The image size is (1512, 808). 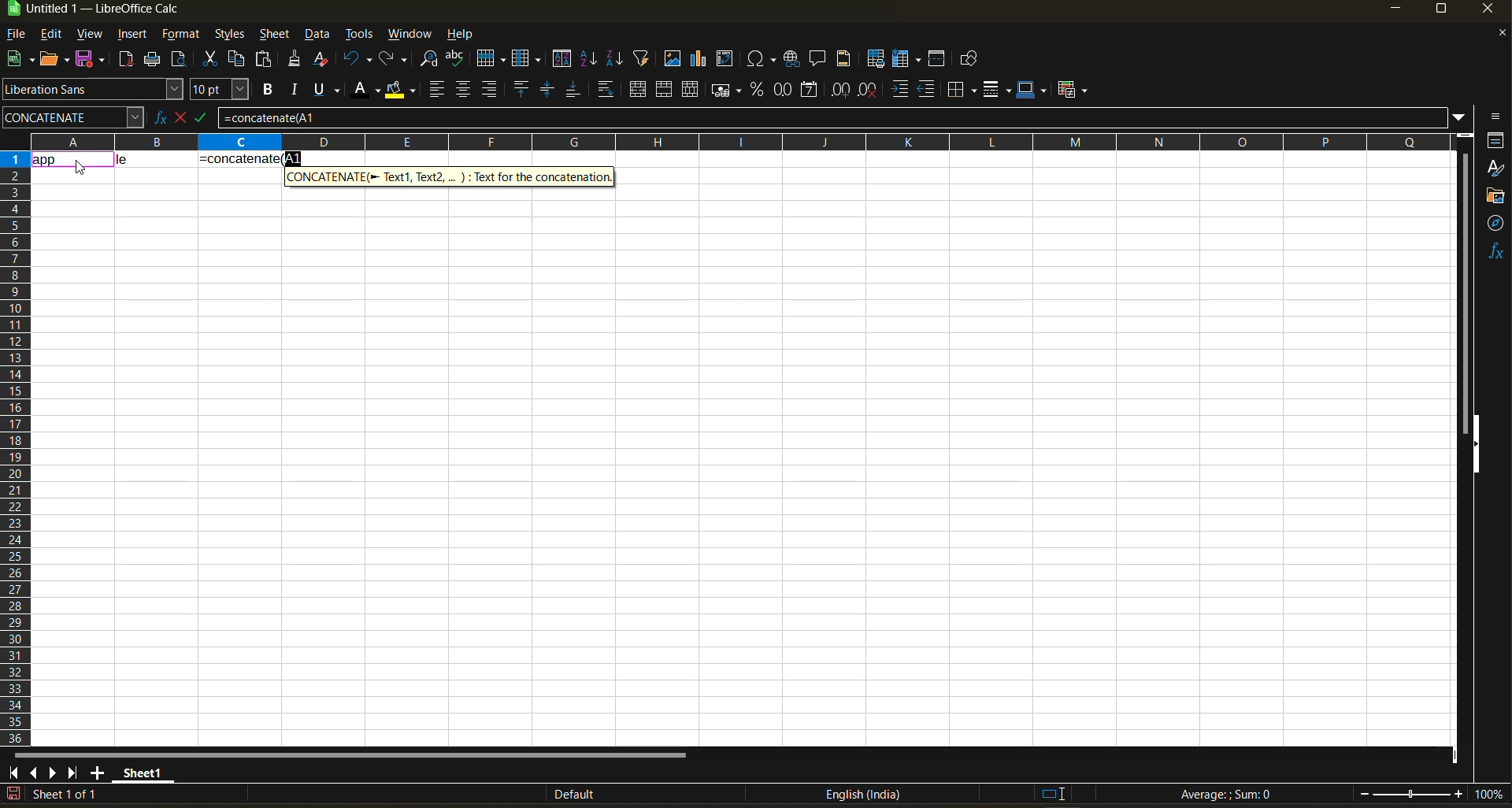 What do you see at coordinates (395, 60) in the screenshot?
I see `redo ` at bounding box center [395, 60].